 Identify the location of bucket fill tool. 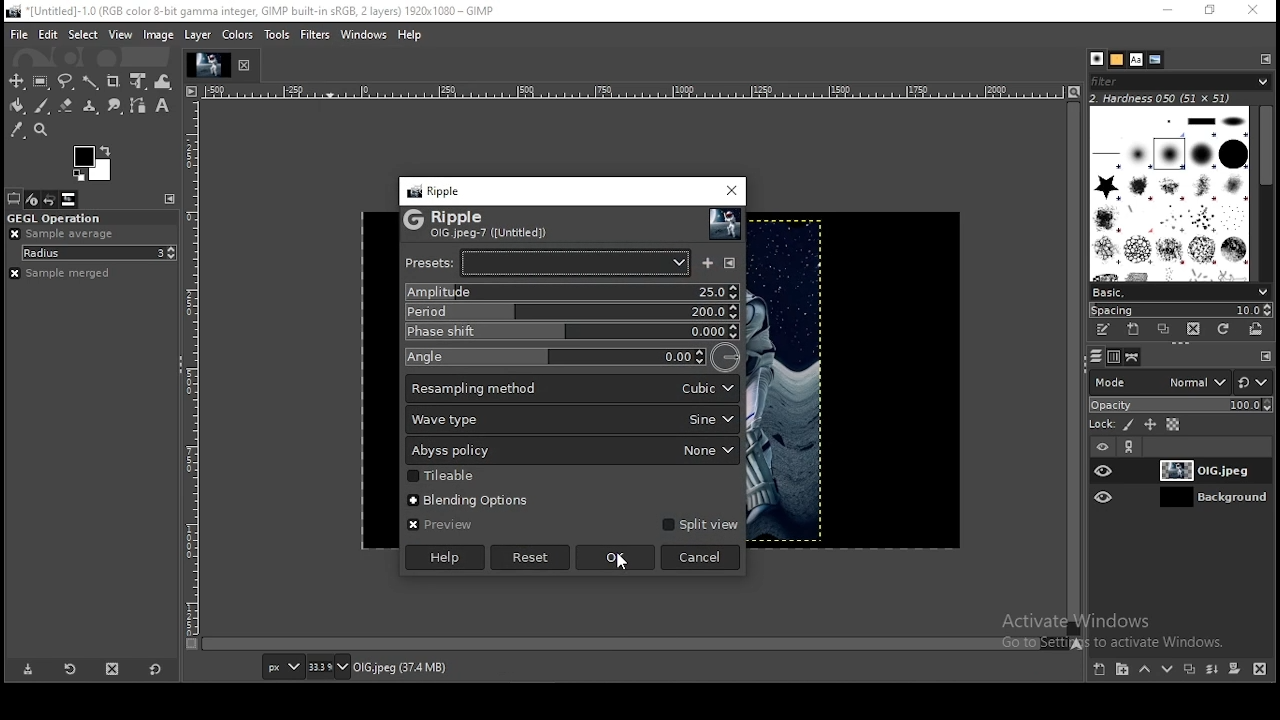
(17, 107).